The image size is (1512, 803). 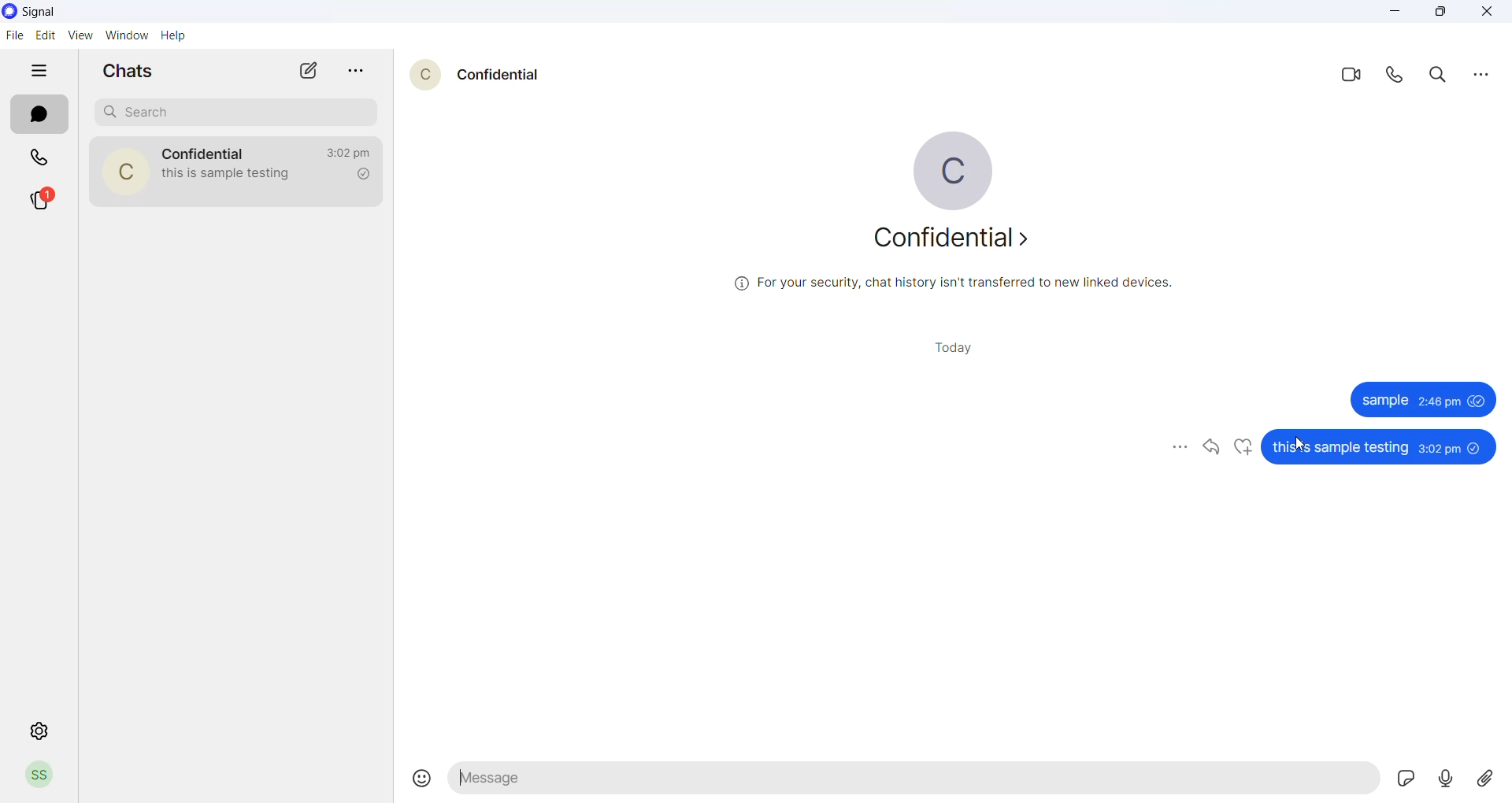 What do you see at coordinates (413, 773) in the screenshot?
I see `emojis` at bounding box center [413, 773].